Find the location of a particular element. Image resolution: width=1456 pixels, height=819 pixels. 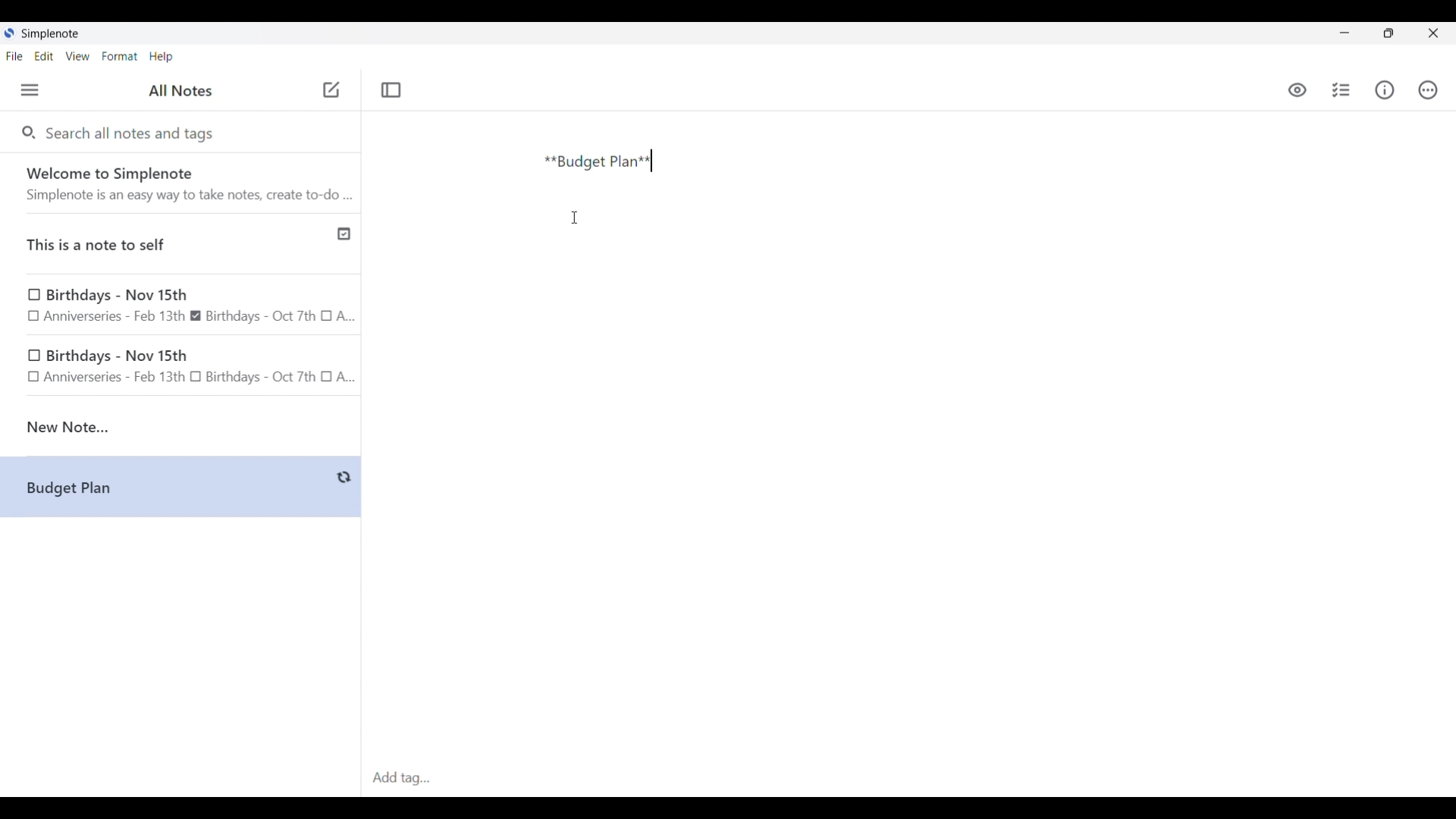

Search all notes and tags is located at coordinates (133, 132).